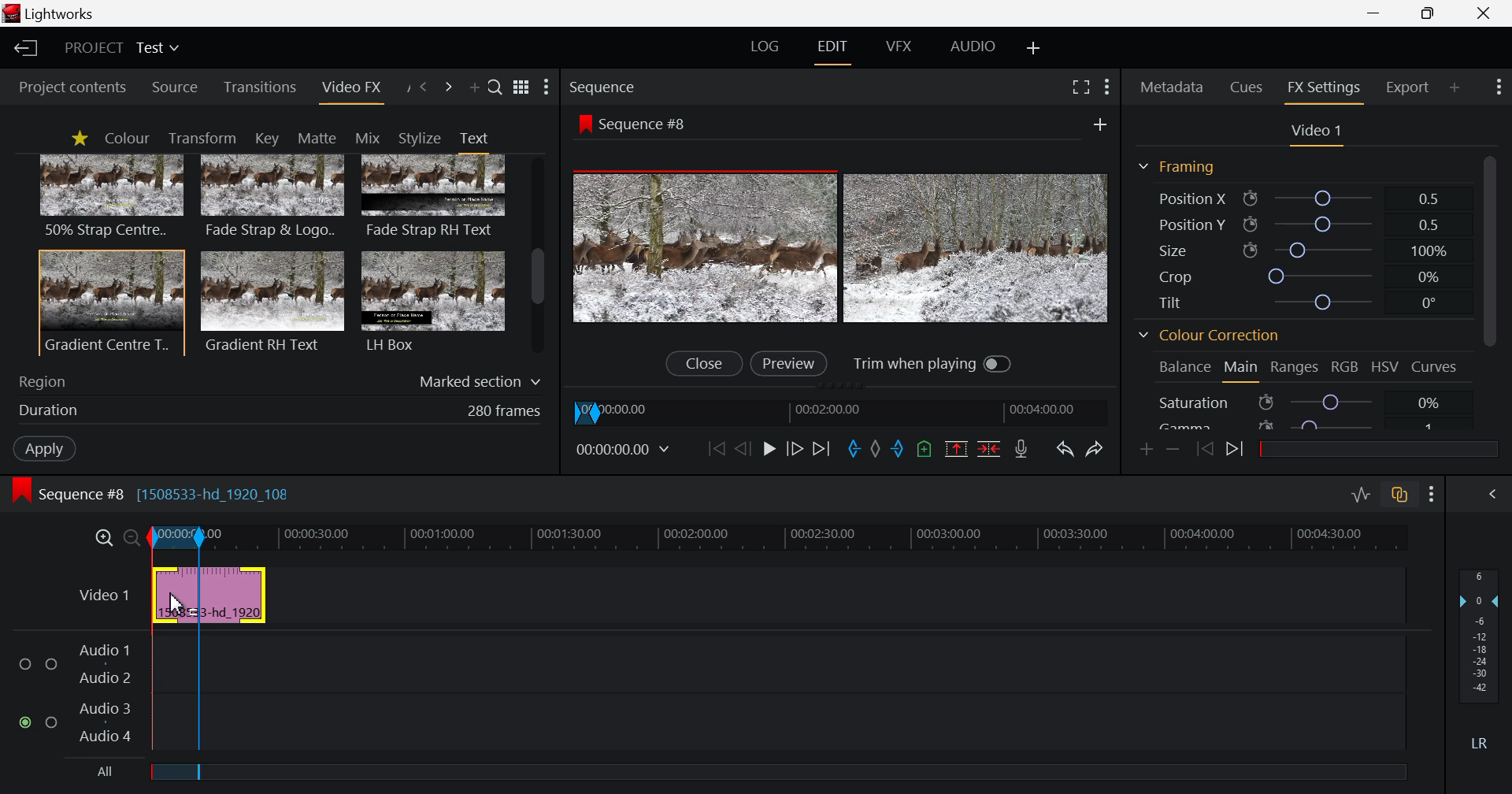 The height and width of the screenshot is (794, 1512). I want to click on MOUSE_UP Cursor Position, so click(175, 603).